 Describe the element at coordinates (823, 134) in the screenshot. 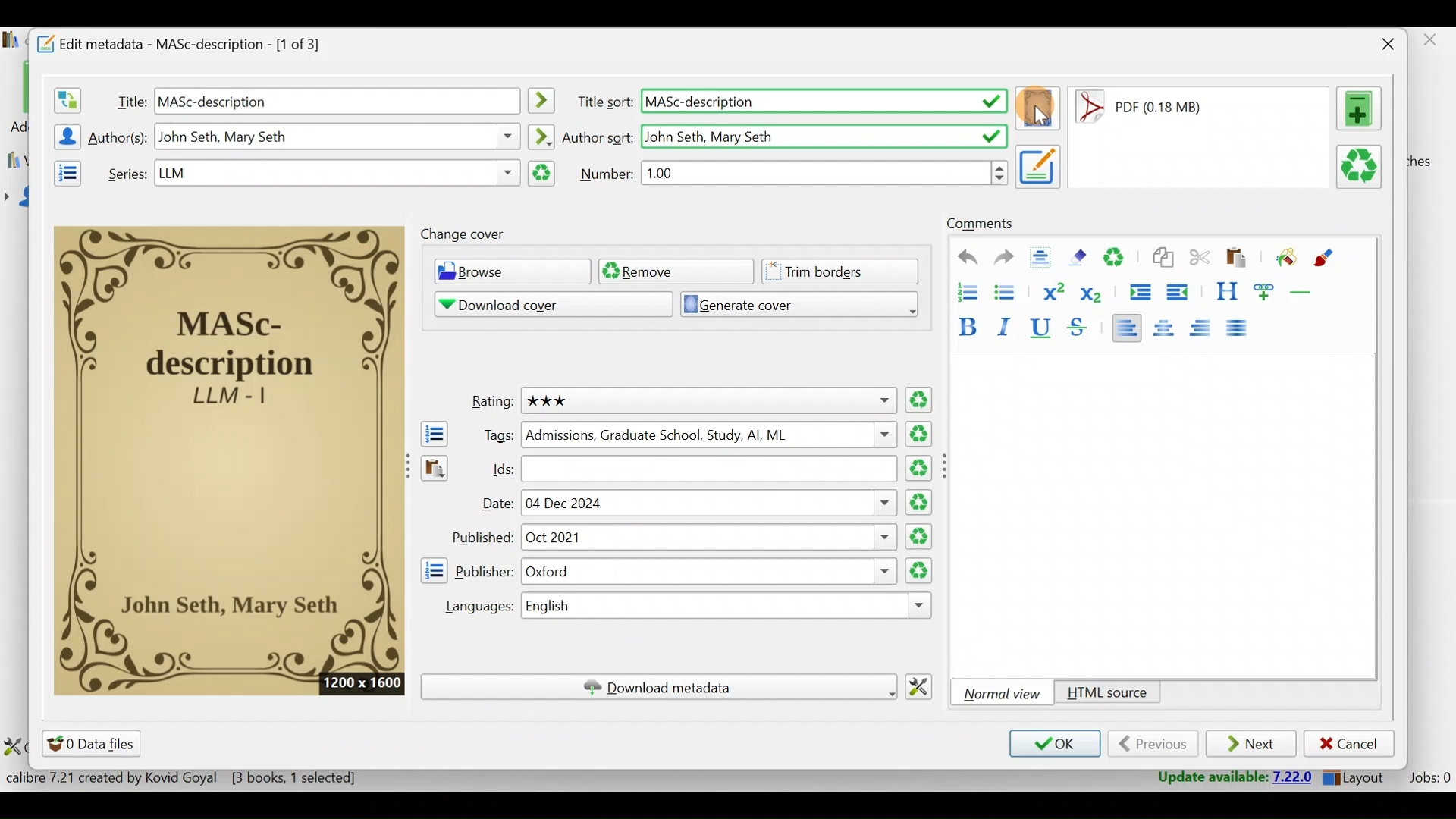

I see `` at that location.